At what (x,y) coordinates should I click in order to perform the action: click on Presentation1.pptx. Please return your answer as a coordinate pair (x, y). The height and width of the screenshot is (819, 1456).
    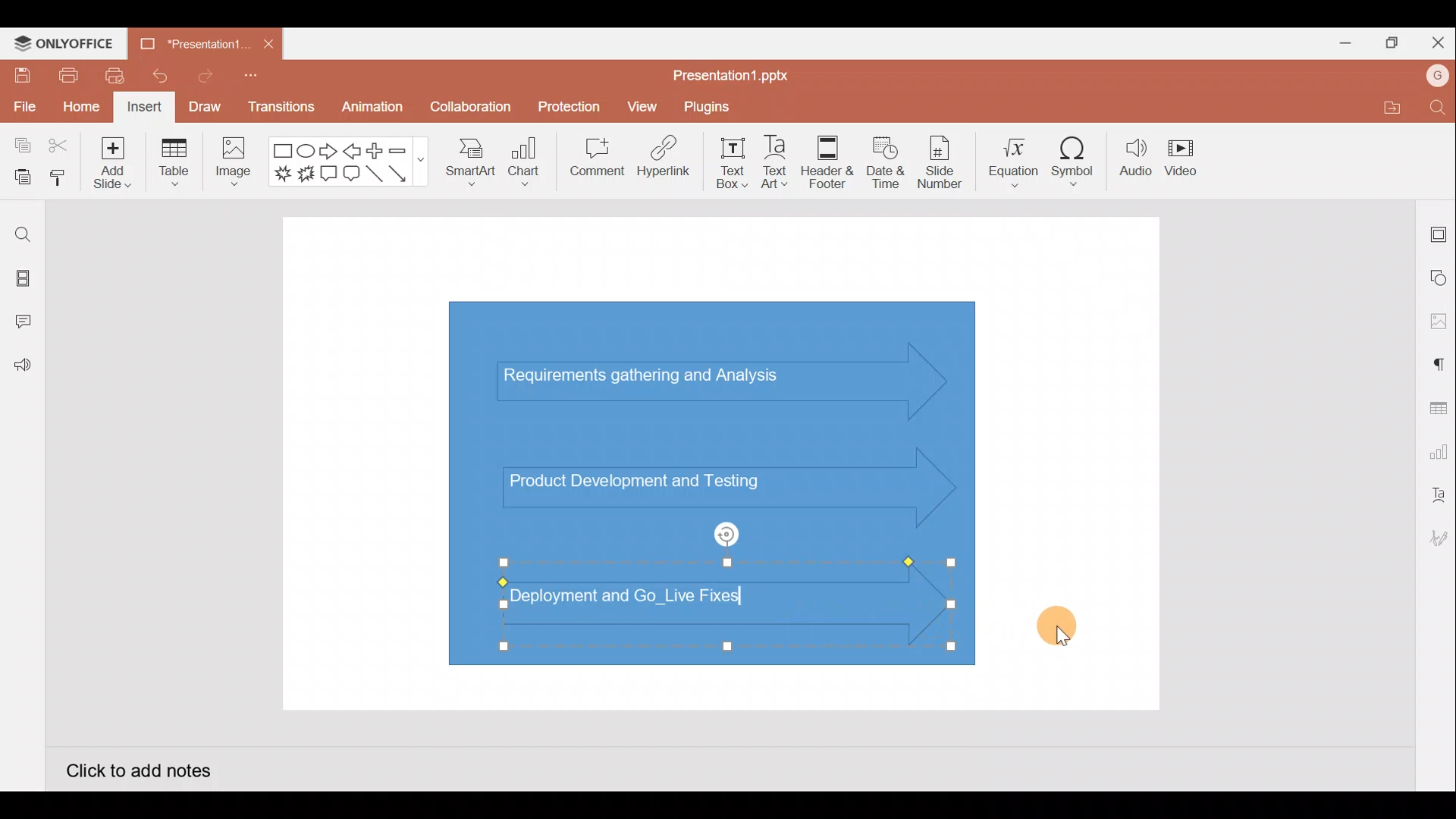
    Looking at the image, I should click on (736, 71).